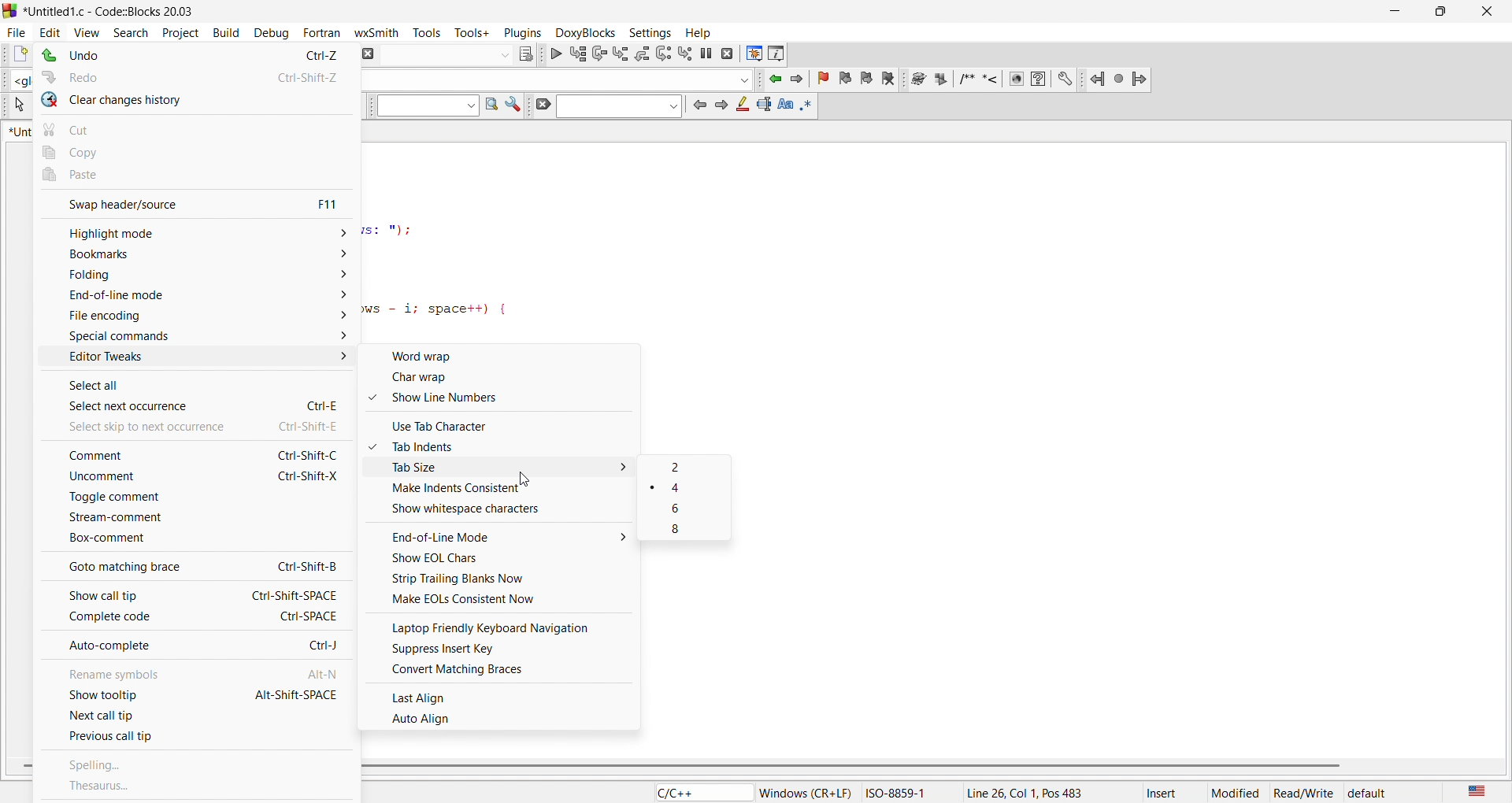 The height and width of the screenshot is (803, 1512). I want to click on icon, so click(514, 108).